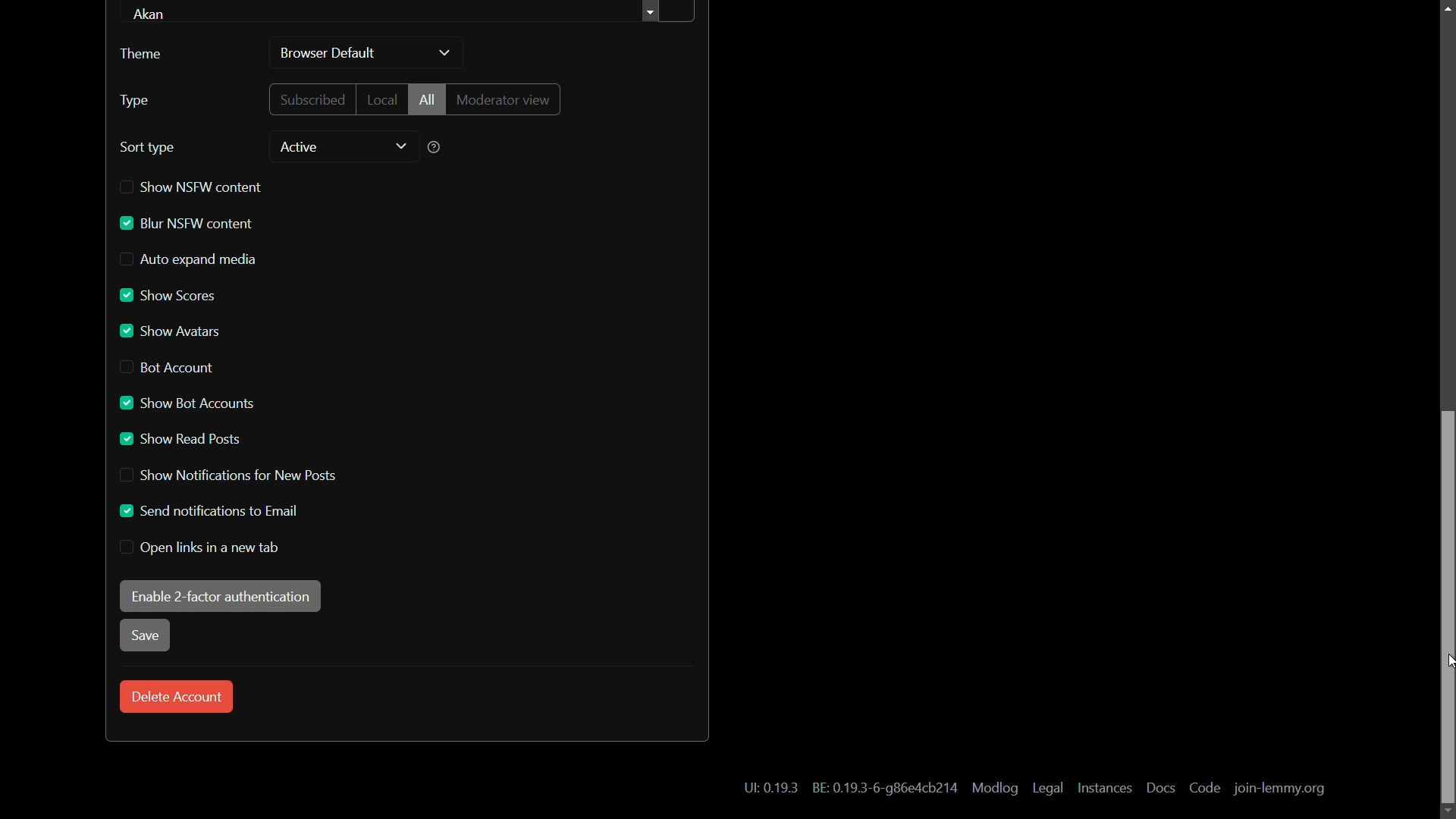 This screenshot has height=819, width=1456. I want to click on modlog, so click(993, 789).